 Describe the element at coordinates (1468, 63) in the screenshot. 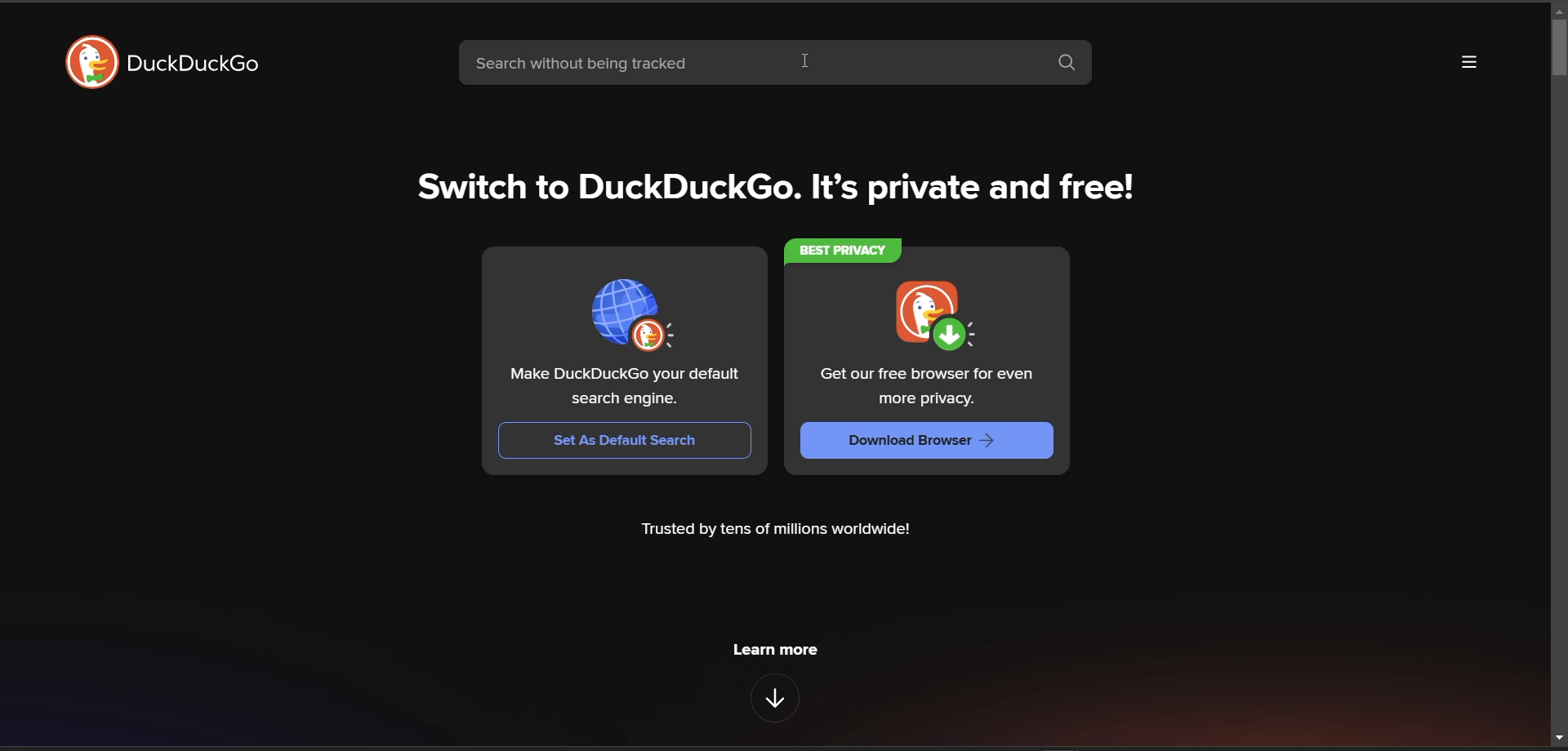

I see `more options` at that location.